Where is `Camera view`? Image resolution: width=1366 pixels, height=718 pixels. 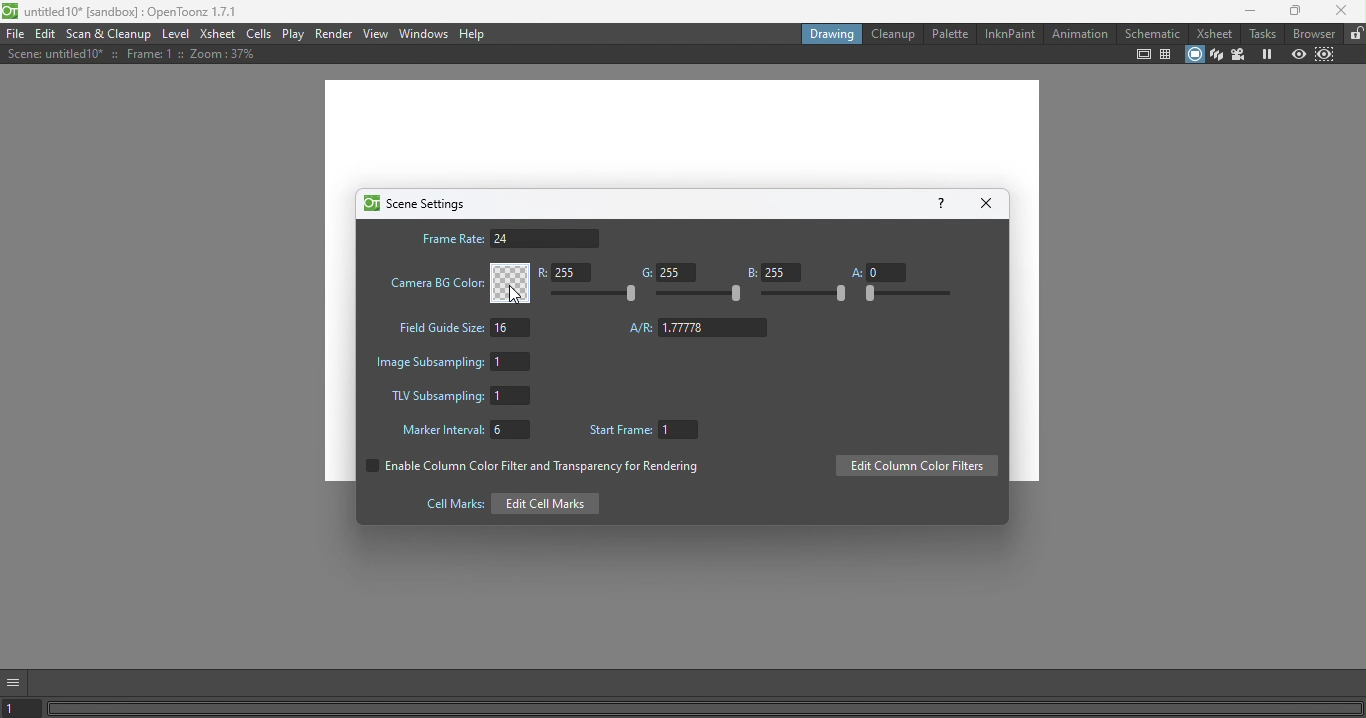
Camera view is located at coordinates (1241, 54).